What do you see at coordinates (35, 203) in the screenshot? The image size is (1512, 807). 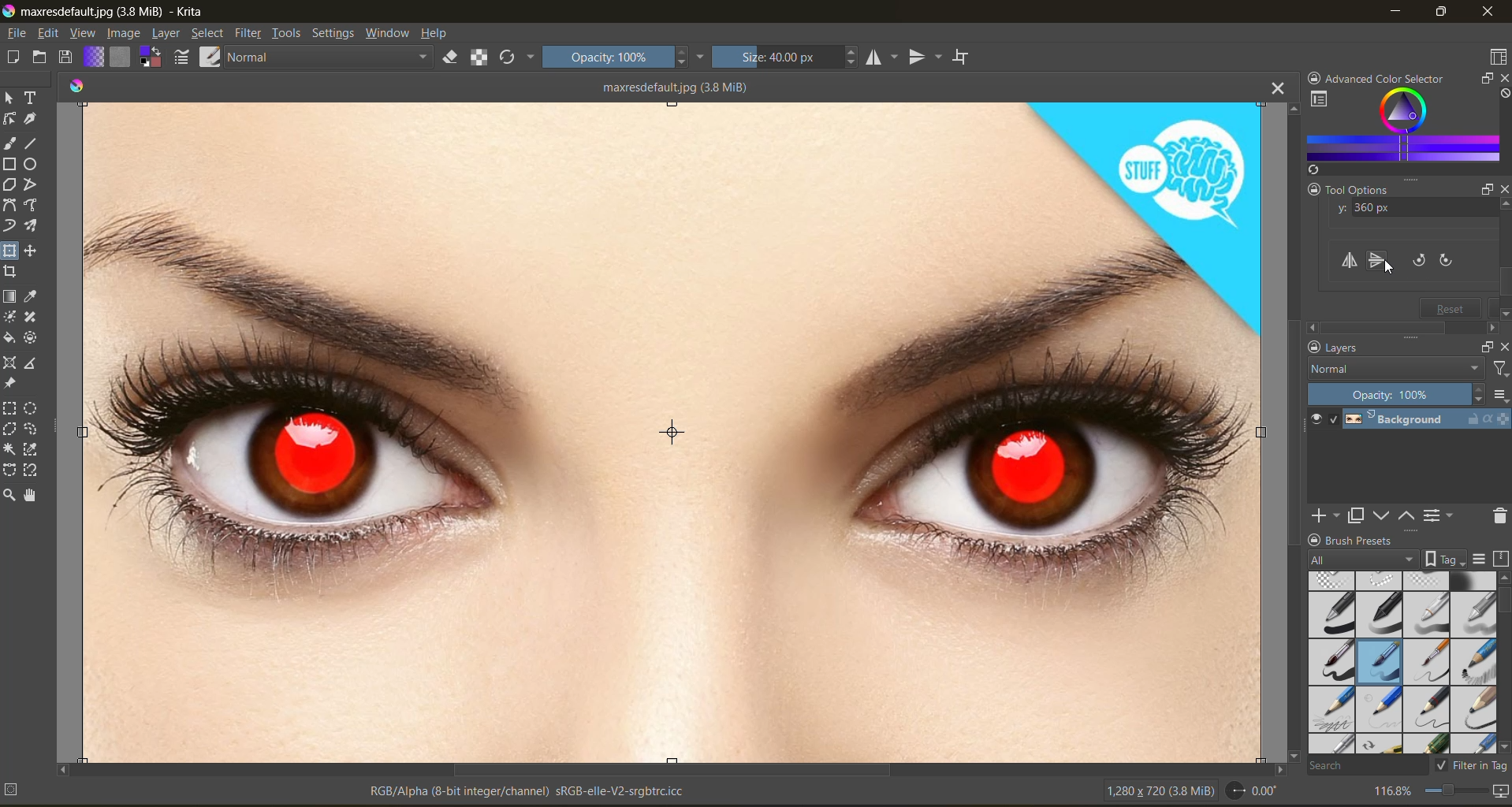 I see `tool` at bounding box center [35, 203].